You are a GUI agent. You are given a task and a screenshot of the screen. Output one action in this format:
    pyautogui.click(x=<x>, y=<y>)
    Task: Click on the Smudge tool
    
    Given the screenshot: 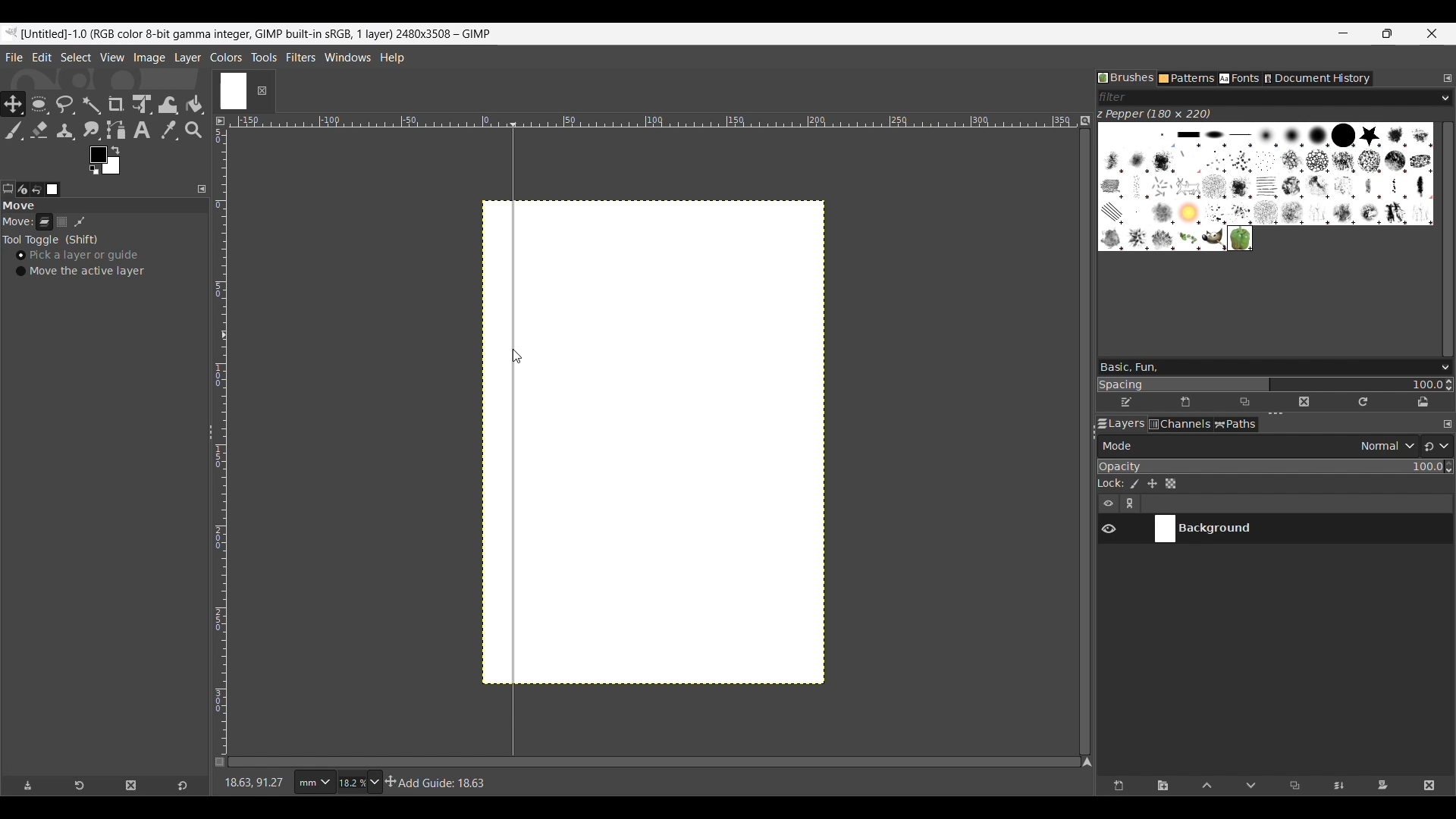 What is the action you would take?
    pyautogui.click(x=91, y=130)
    